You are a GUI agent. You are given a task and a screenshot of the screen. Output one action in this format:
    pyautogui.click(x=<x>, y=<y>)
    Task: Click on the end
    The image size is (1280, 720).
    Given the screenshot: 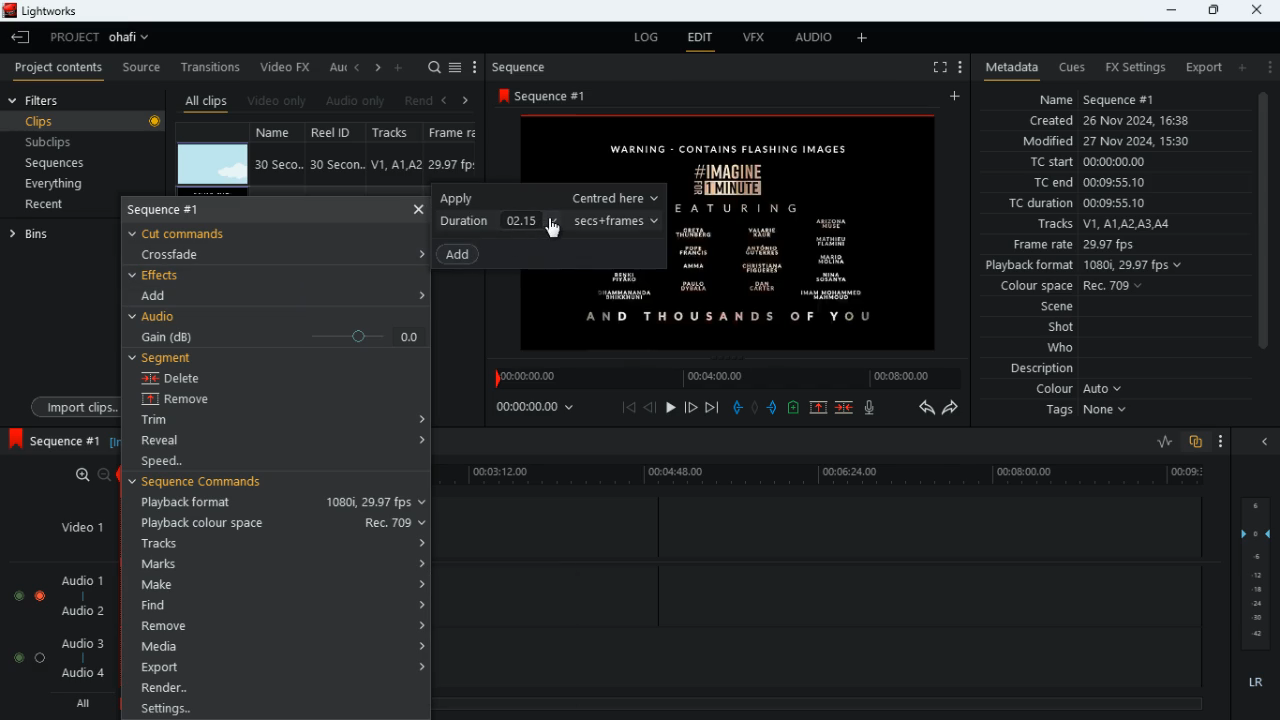 What is the action you would take?
    pyautogui.click(x=714, y=409)
    